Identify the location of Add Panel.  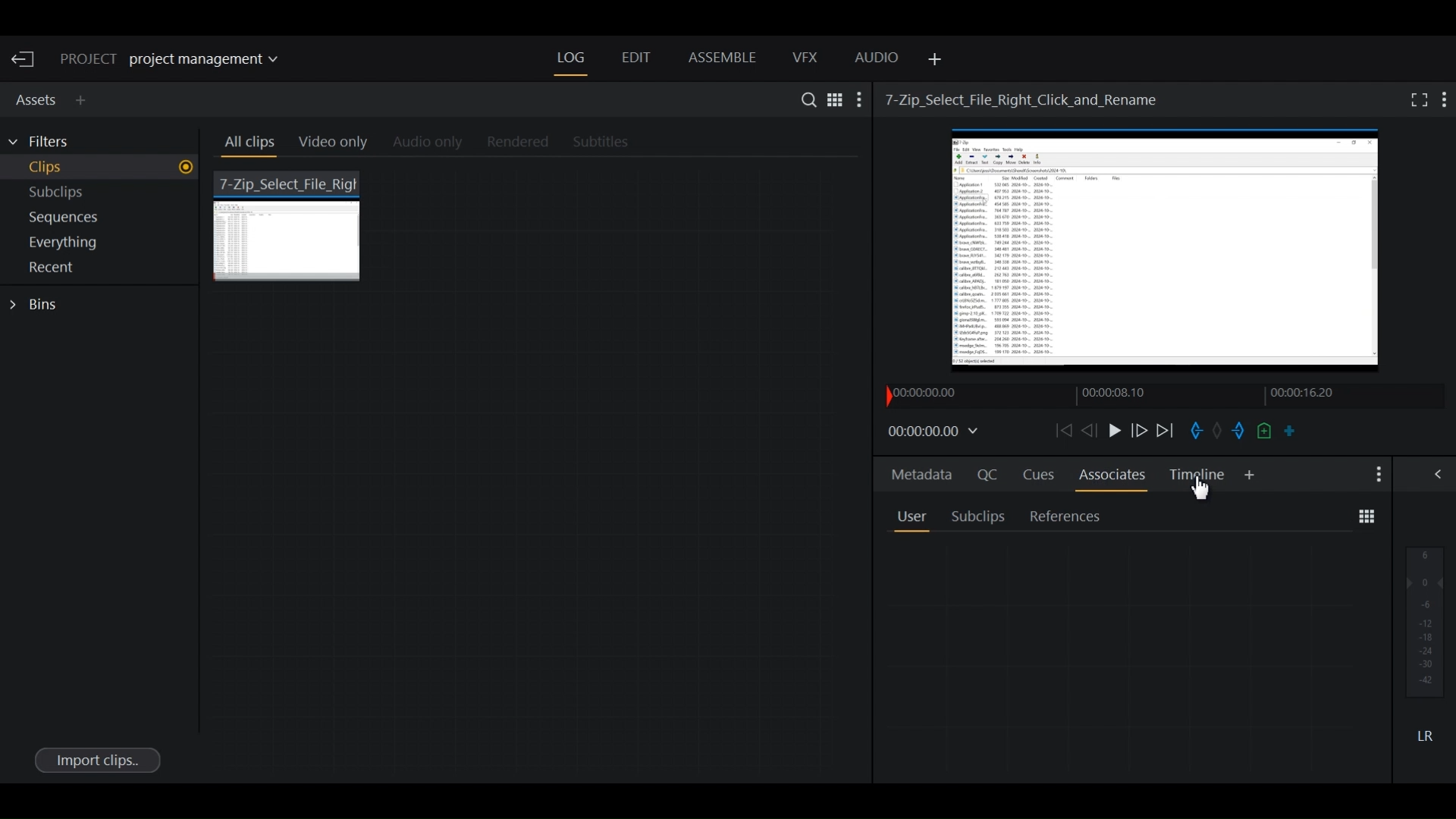
(932, 60).